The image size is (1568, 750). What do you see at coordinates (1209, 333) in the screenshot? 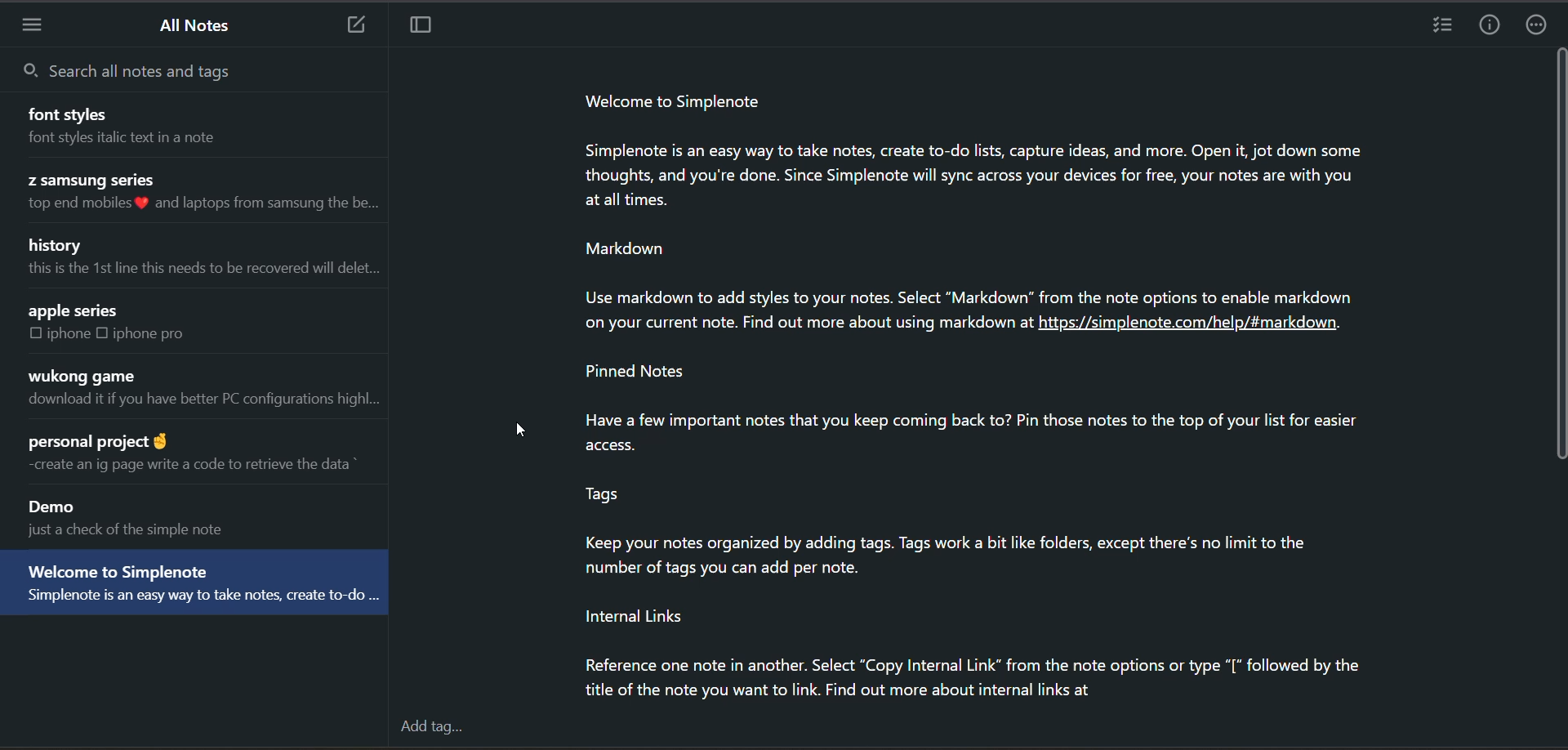
I see ` https://simplenote.com/help/#markdown.` at bounding box center [1209, 333].